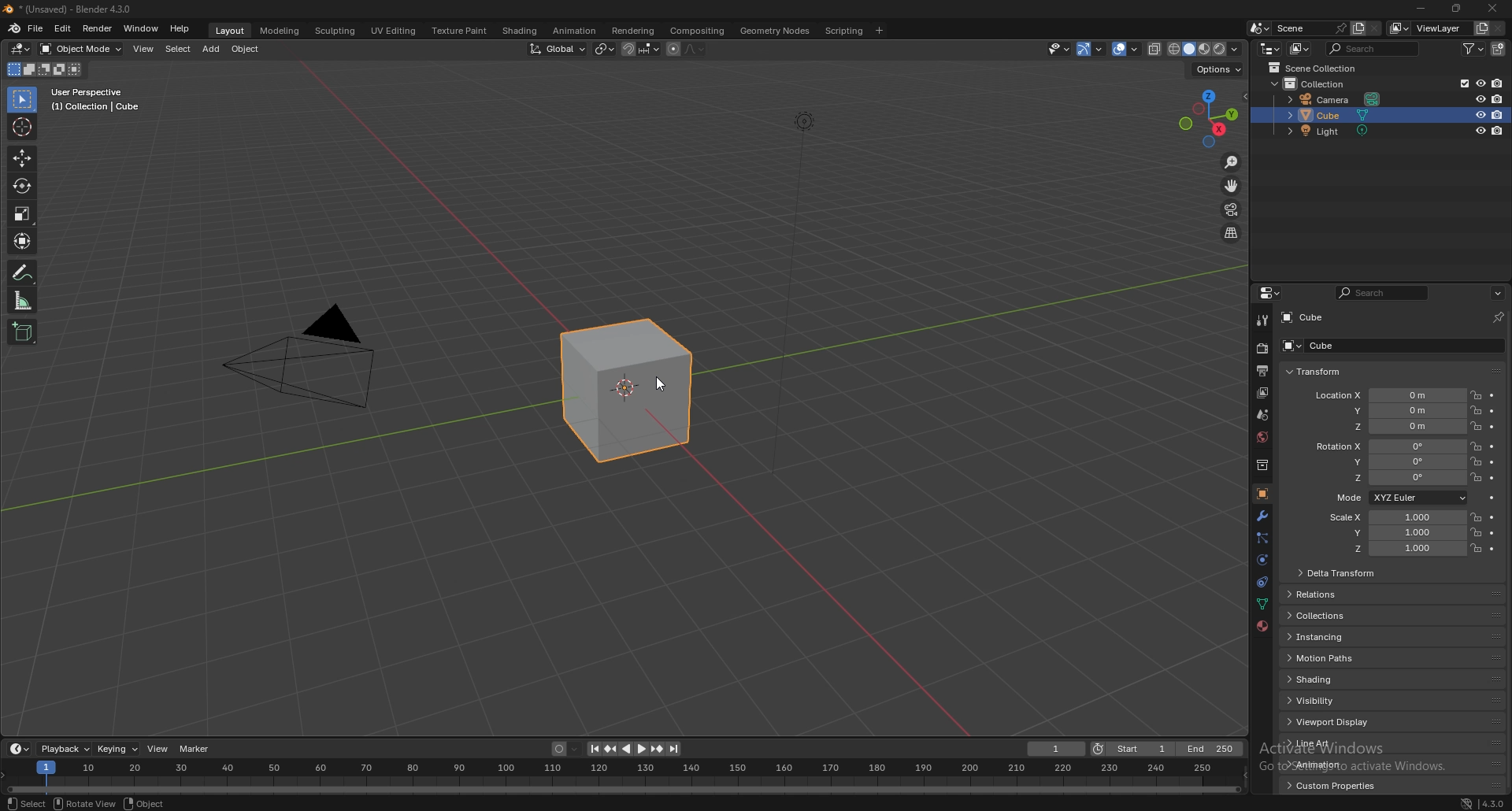 The height and width of the screenshot is (811, 1512). I want to click on display mode, so click(1300, 49).